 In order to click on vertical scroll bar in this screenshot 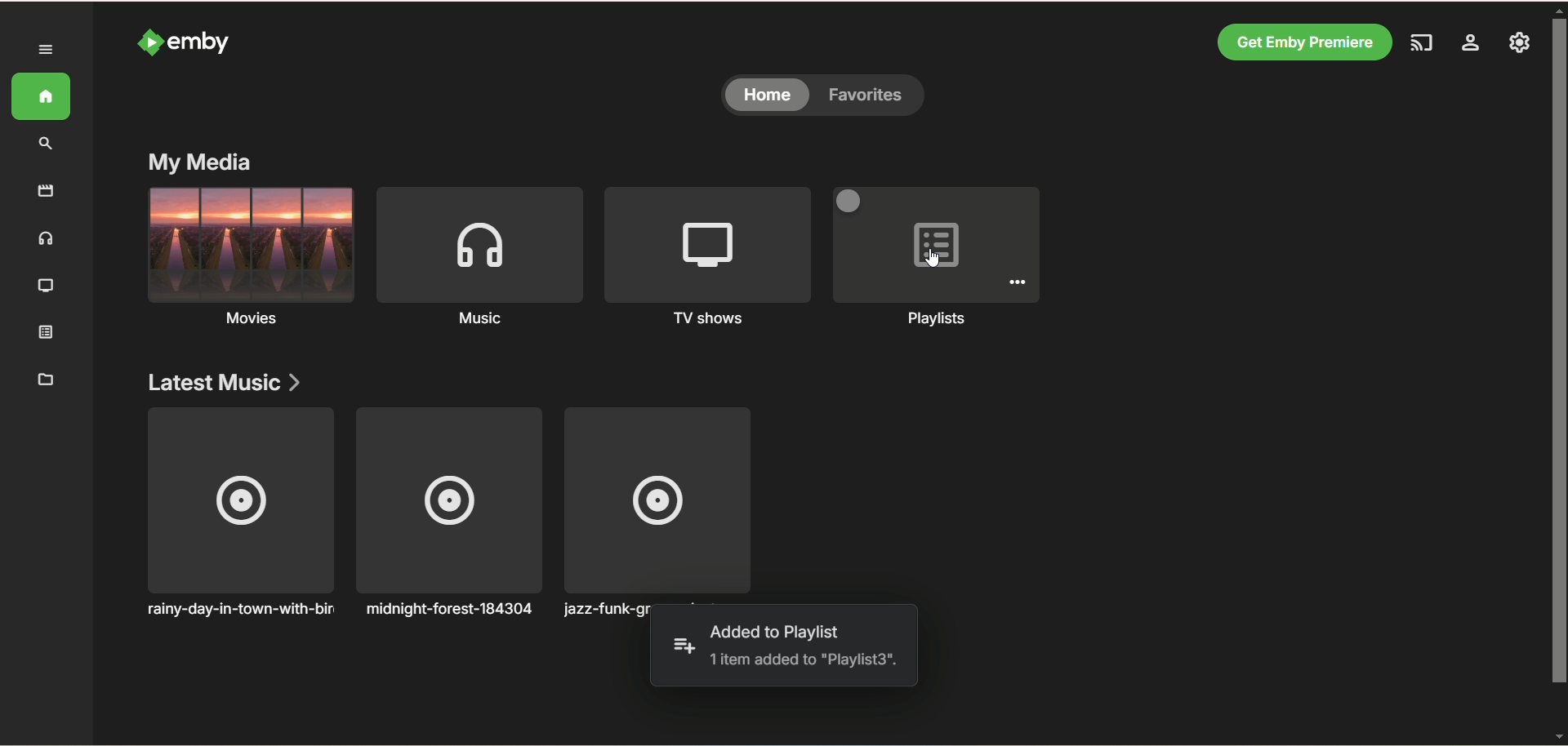, I will do `click(1558, 371)`.